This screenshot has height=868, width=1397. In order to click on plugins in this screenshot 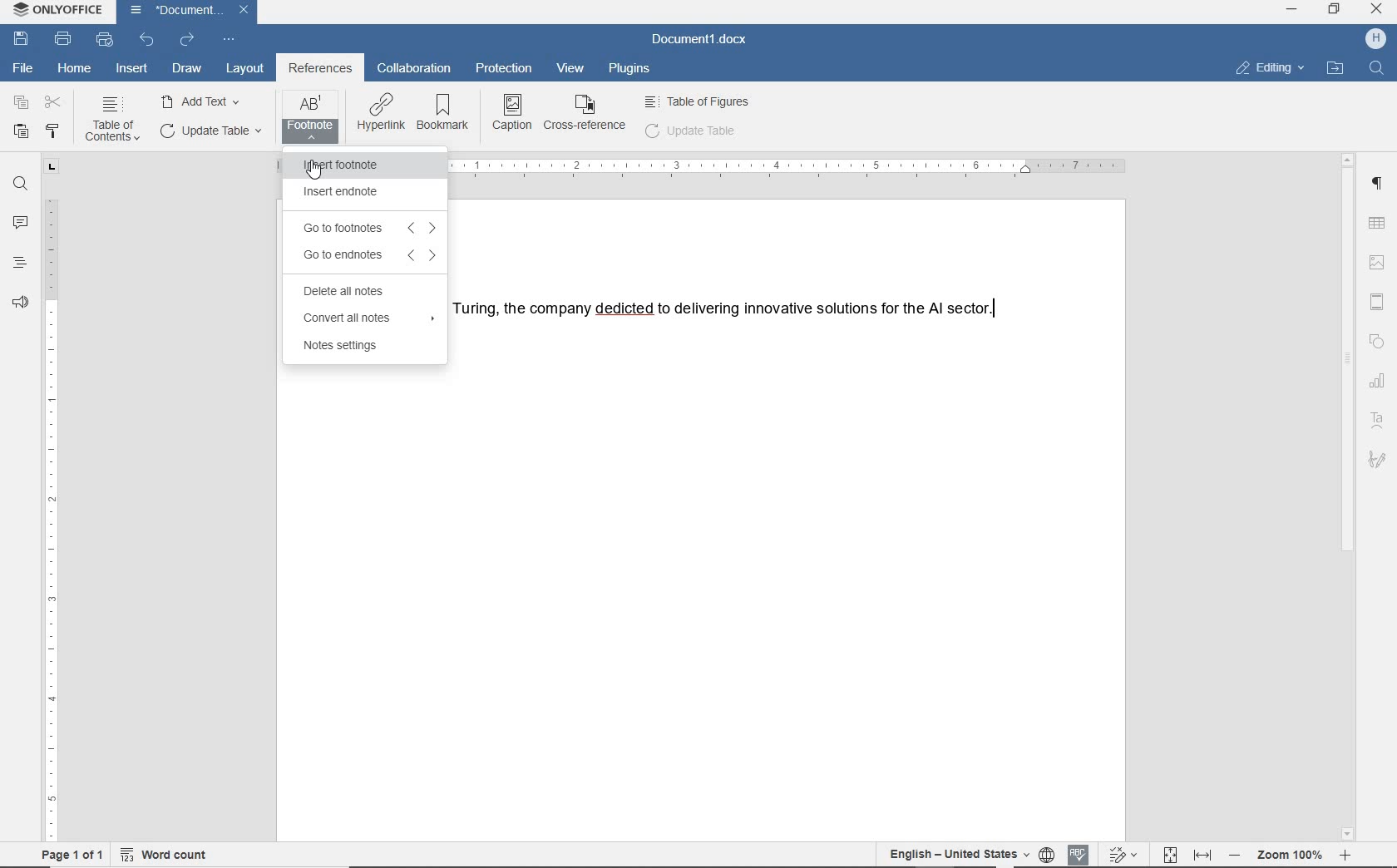, I will do `click(633, 70)`.